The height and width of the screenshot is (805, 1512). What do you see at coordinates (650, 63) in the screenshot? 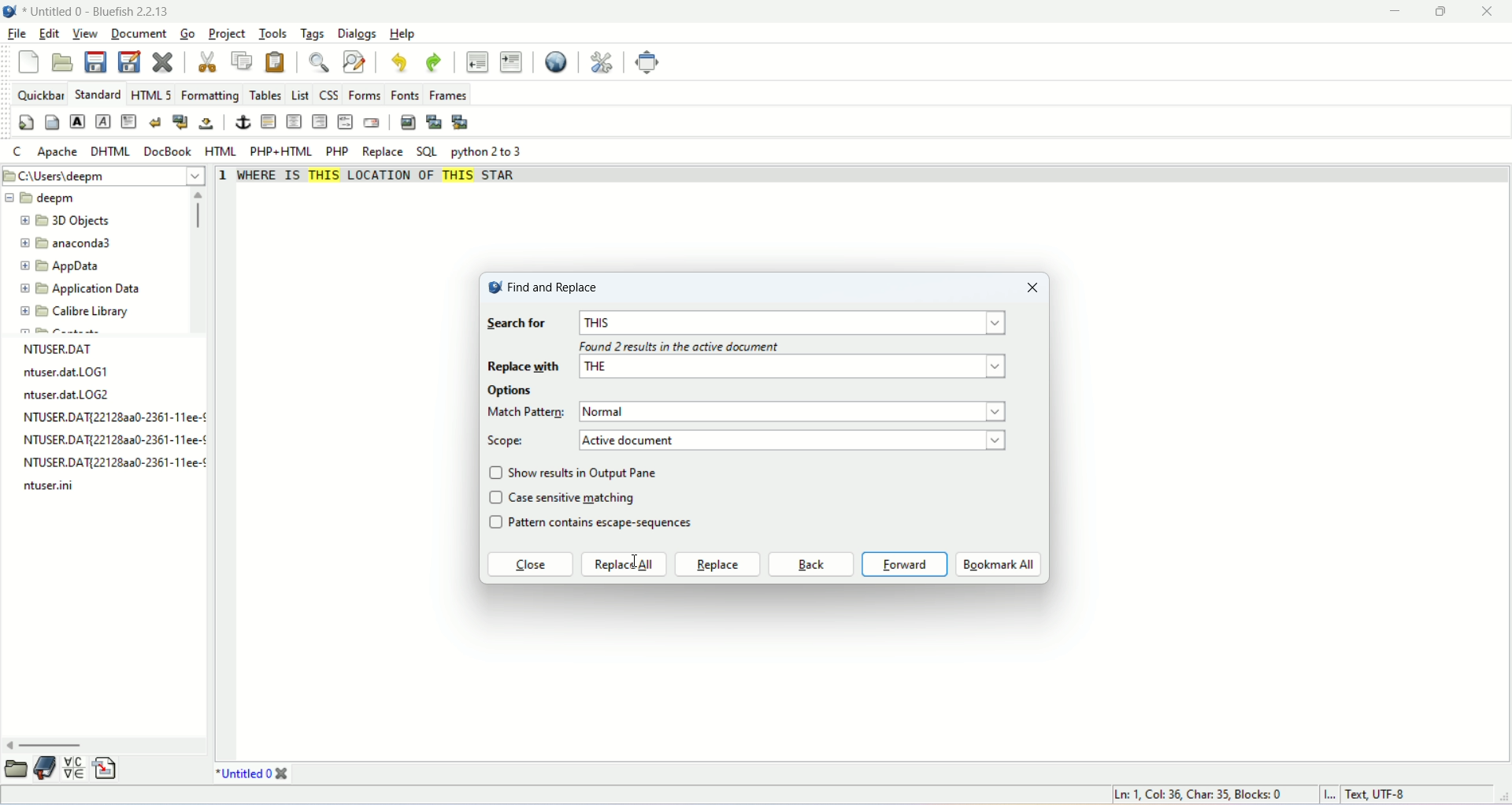
I see `fullscreen` at bounding box center [650, 63].